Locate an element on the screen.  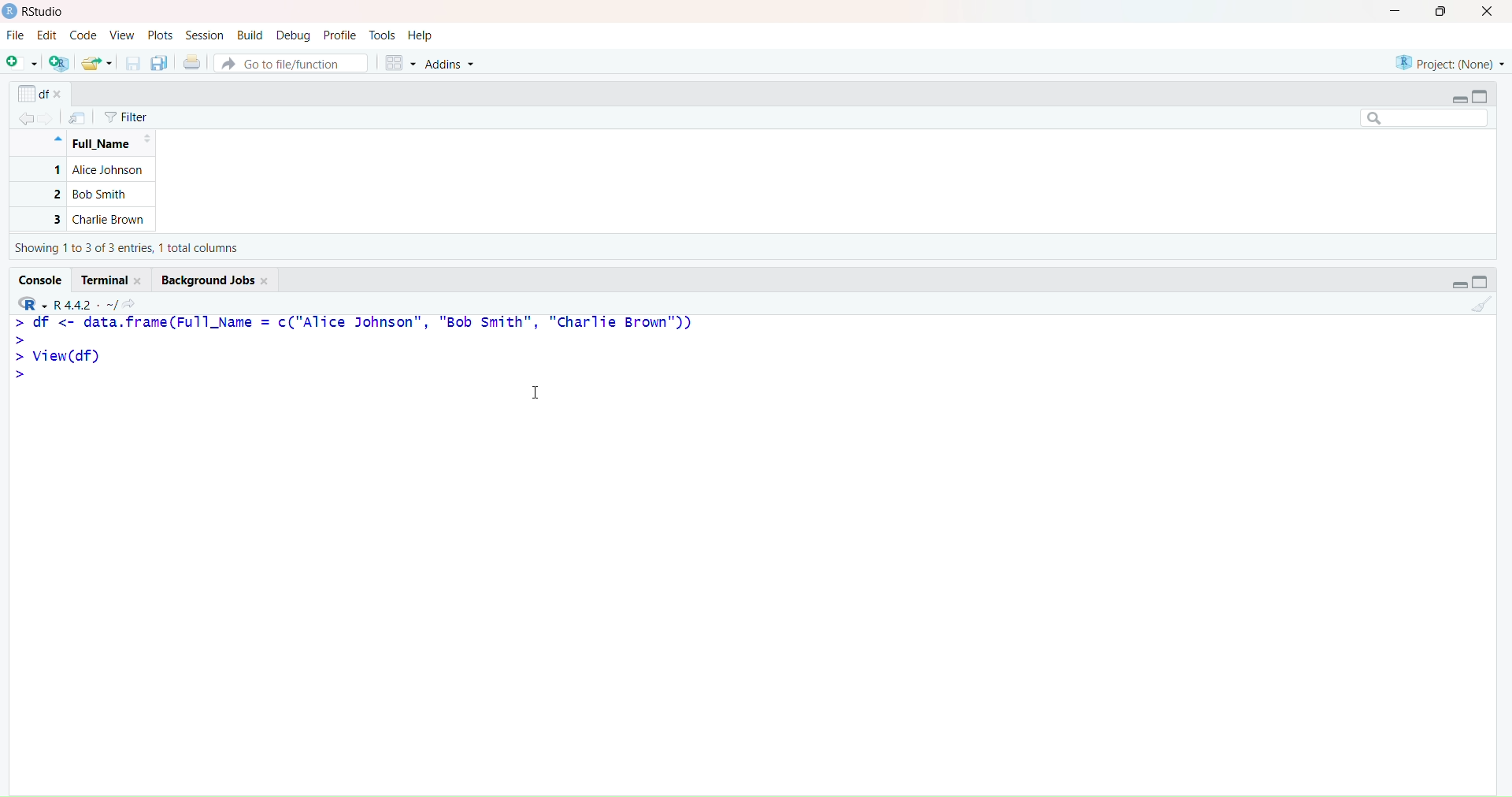
Plots is located at coordinates (163, 35).